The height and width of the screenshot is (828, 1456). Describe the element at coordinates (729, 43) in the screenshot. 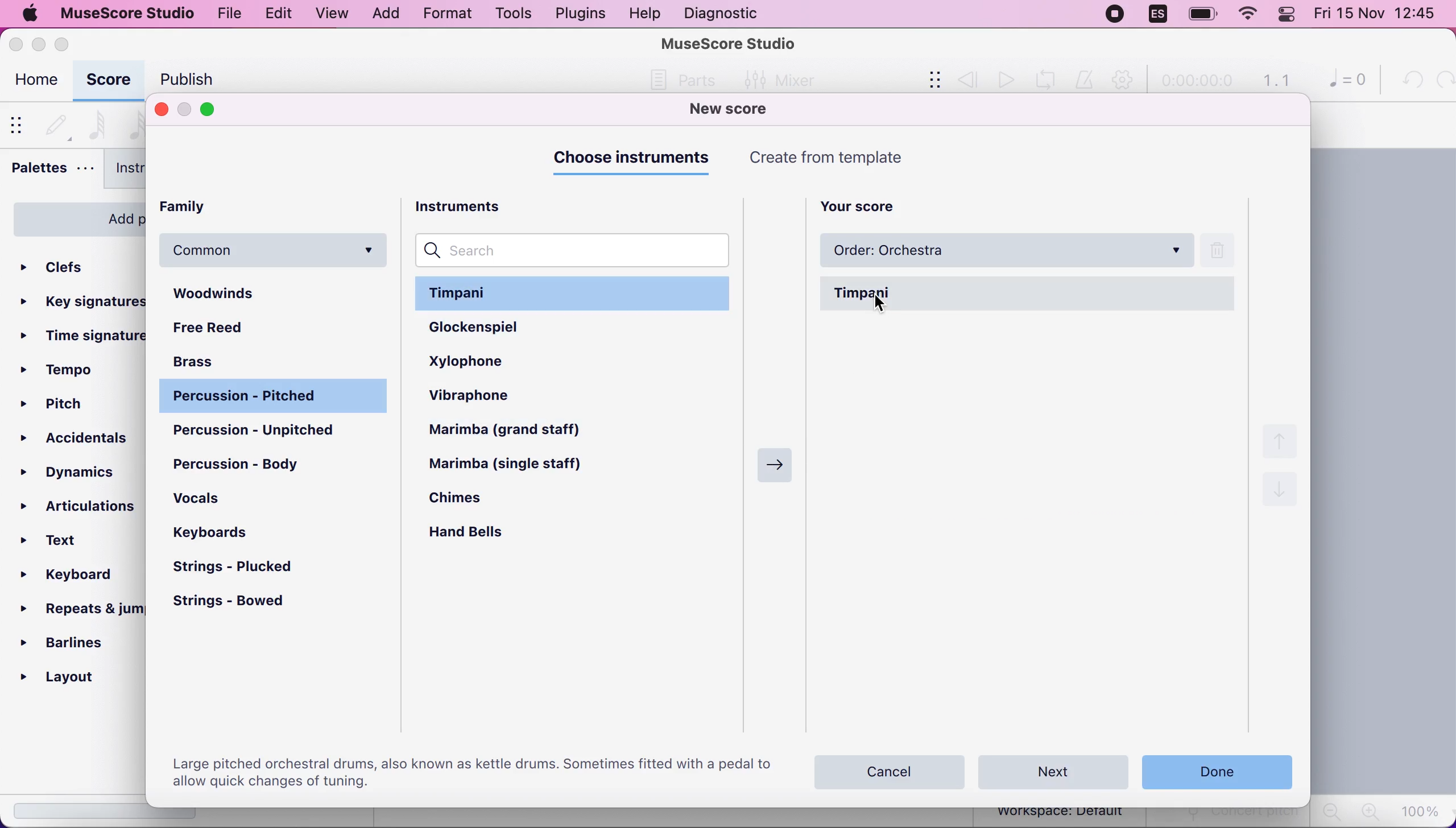

I see `MuseScore Studio` at that location.